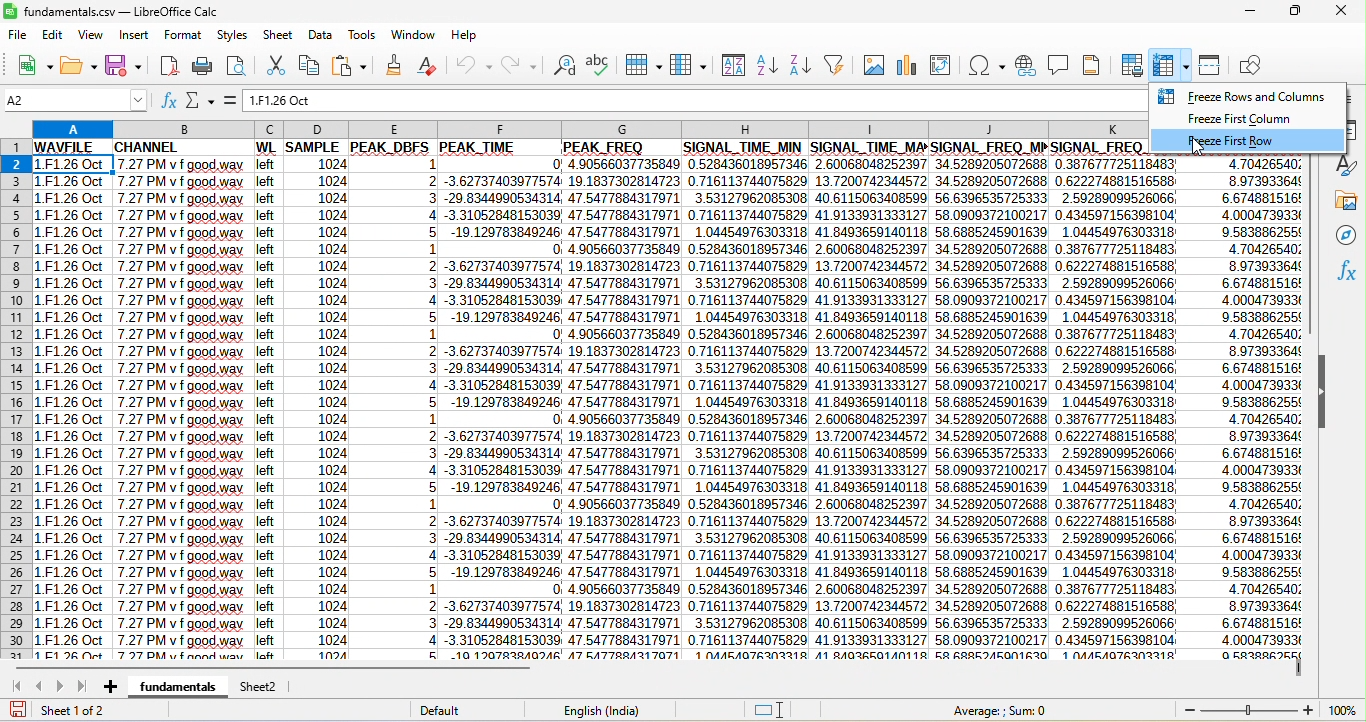 The image size is (1366, 722). Describe the element at coordinates (986, 65) in the screenshot. I see `special character` at that location.